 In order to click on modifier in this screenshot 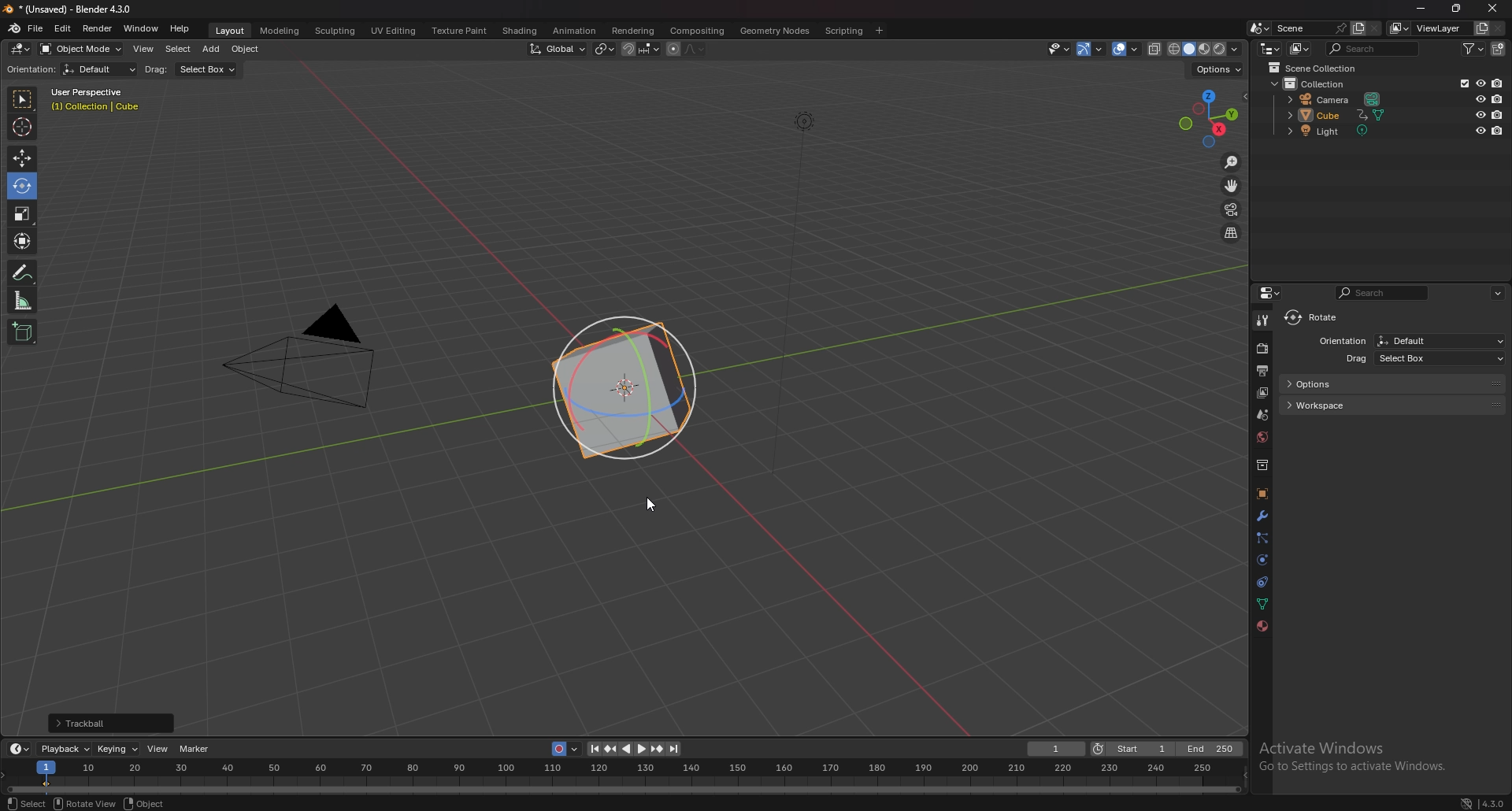, I will do `click(1262, 515)`.